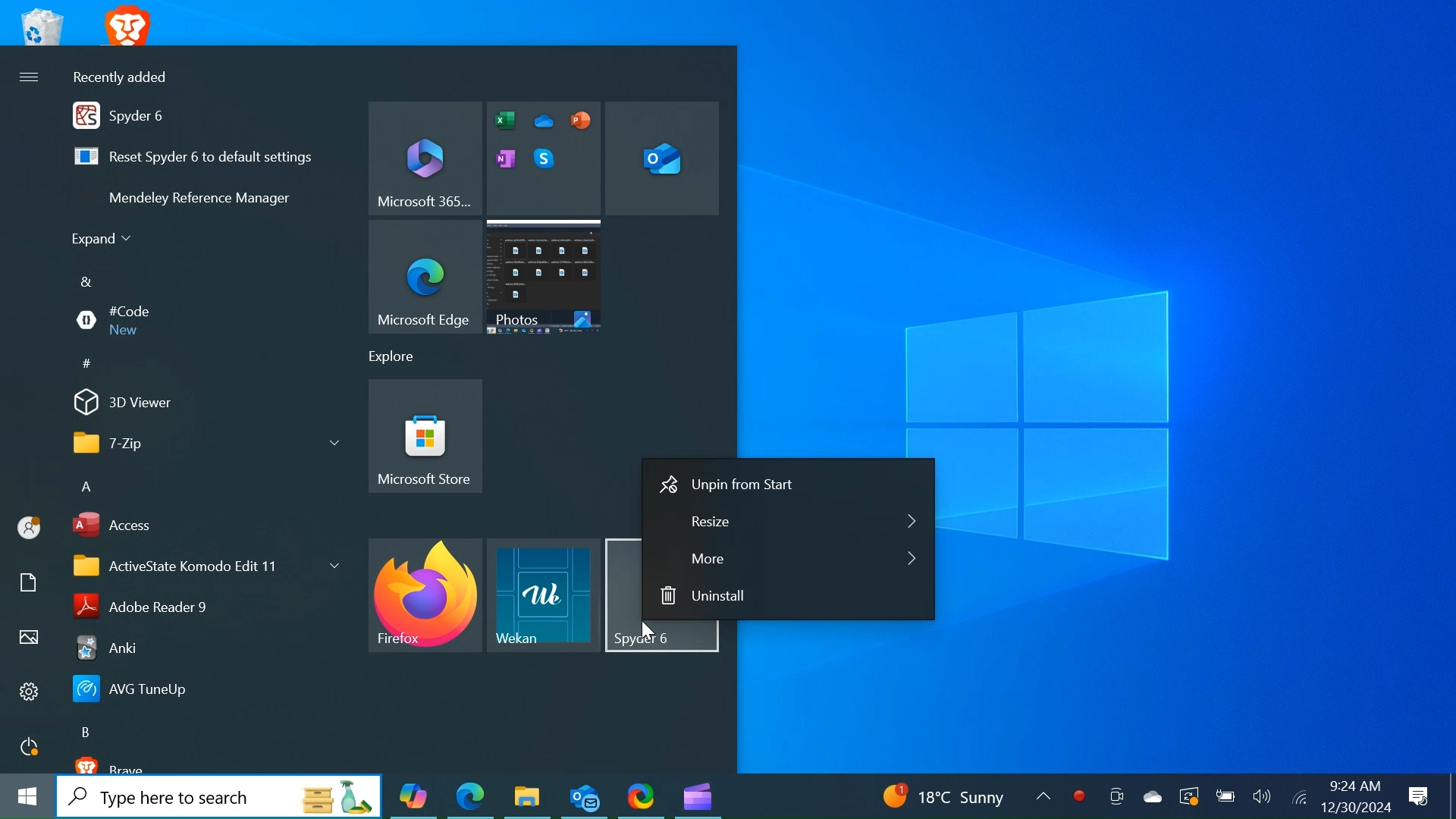  I want to click on More Options, so click(30, 79).